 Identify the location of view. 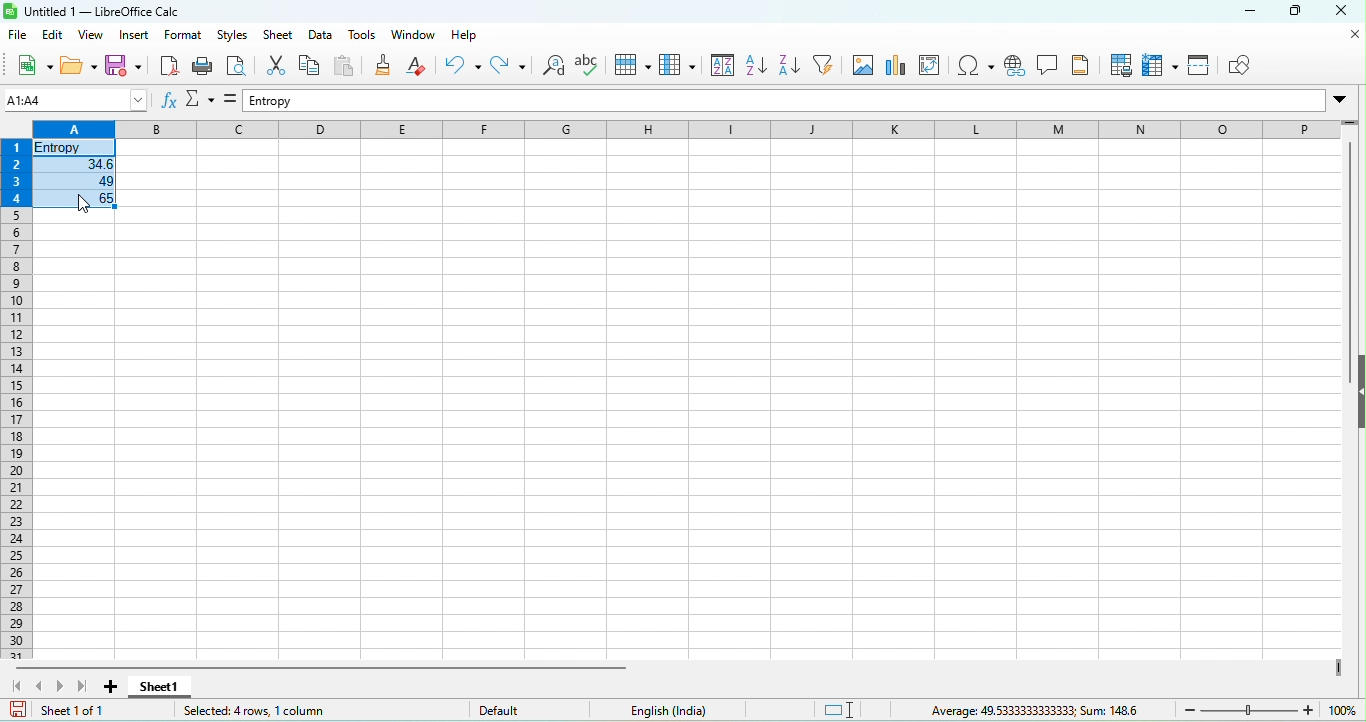
(93, 36).